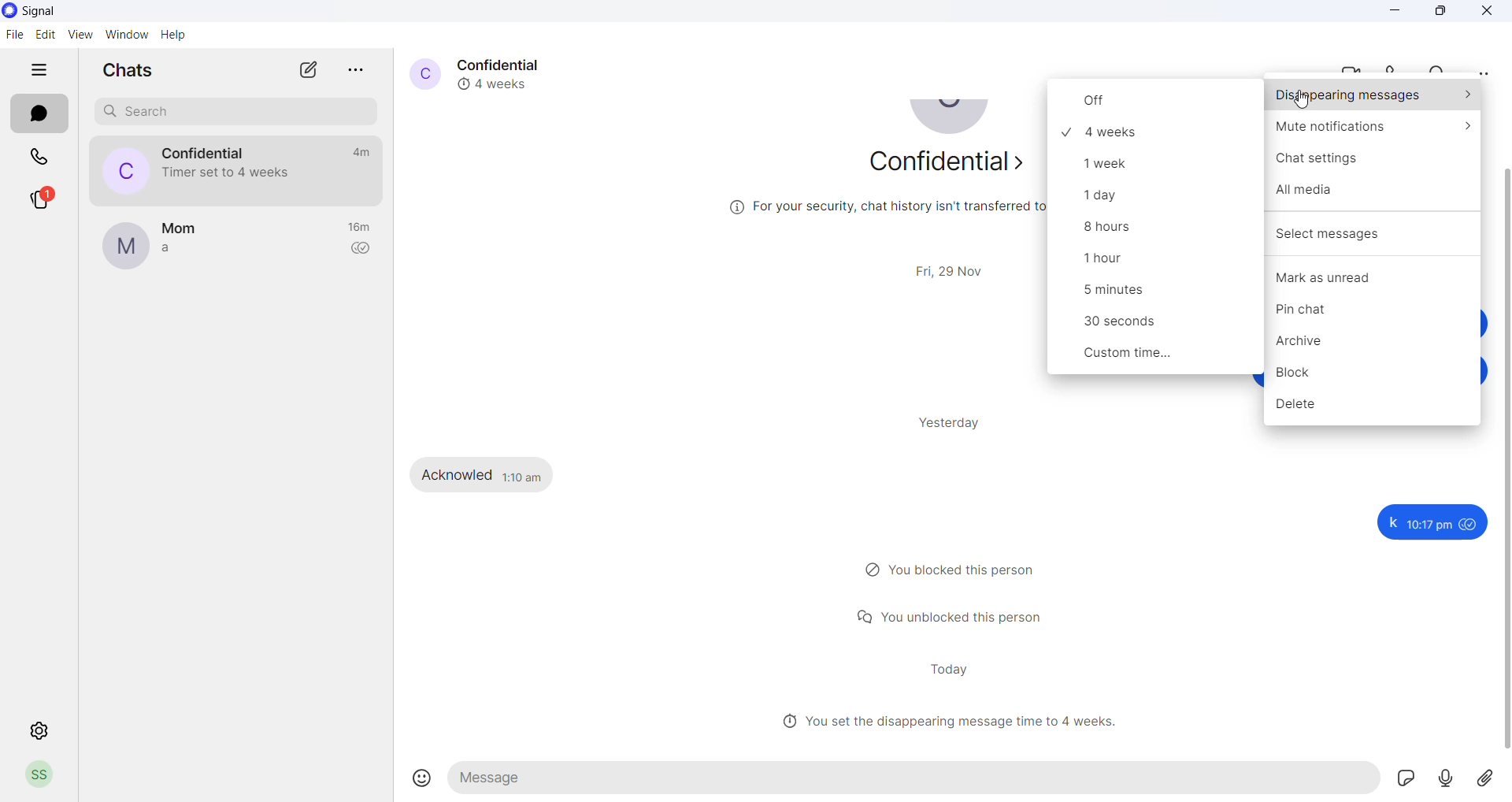  Describe the element at coordinates (1369, 313) in the screenshot. I see `pin chat` at that location.